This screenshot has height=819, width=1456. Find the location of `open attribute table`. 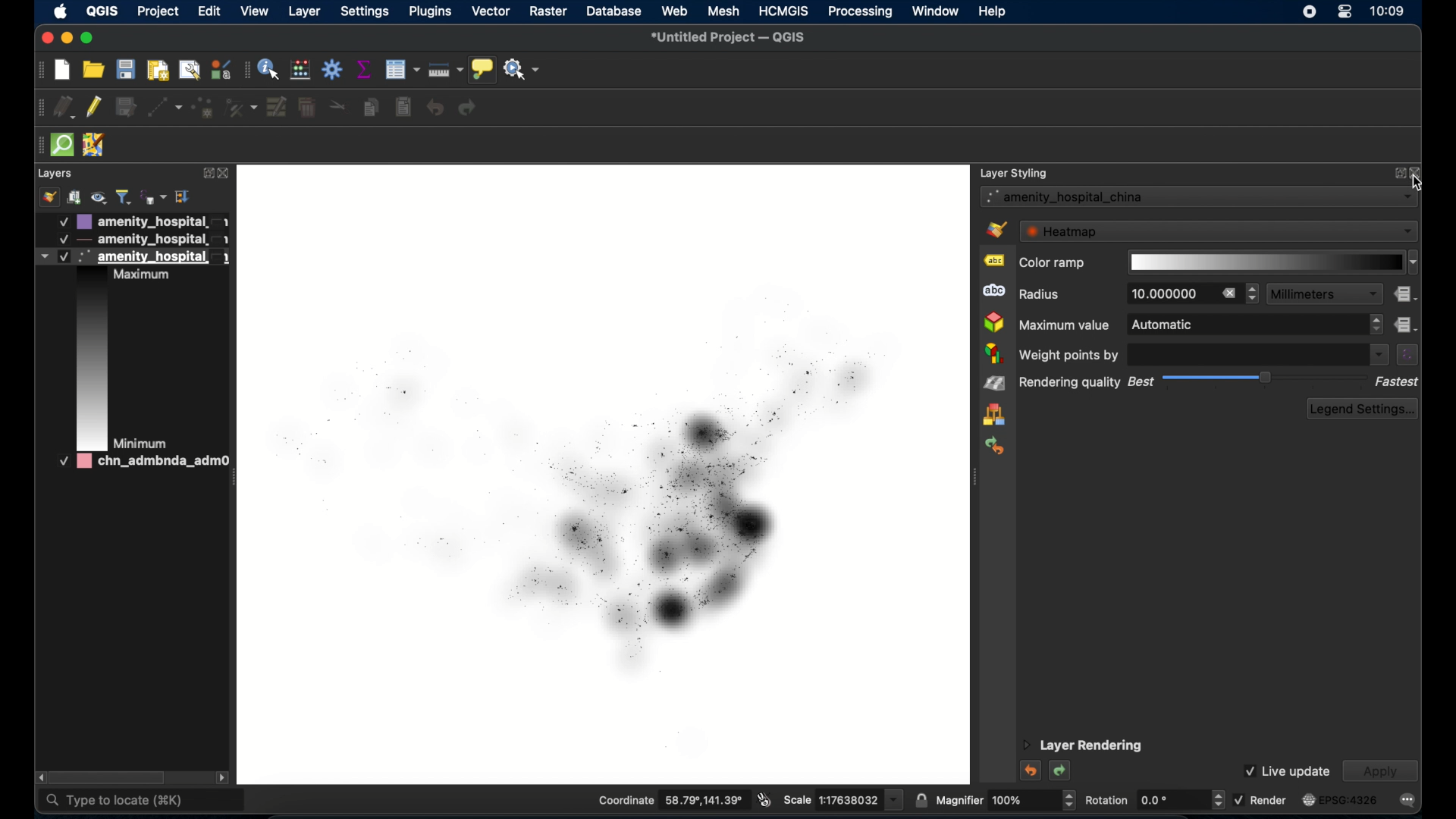

open attribute table is located at coordinates (401, 69).